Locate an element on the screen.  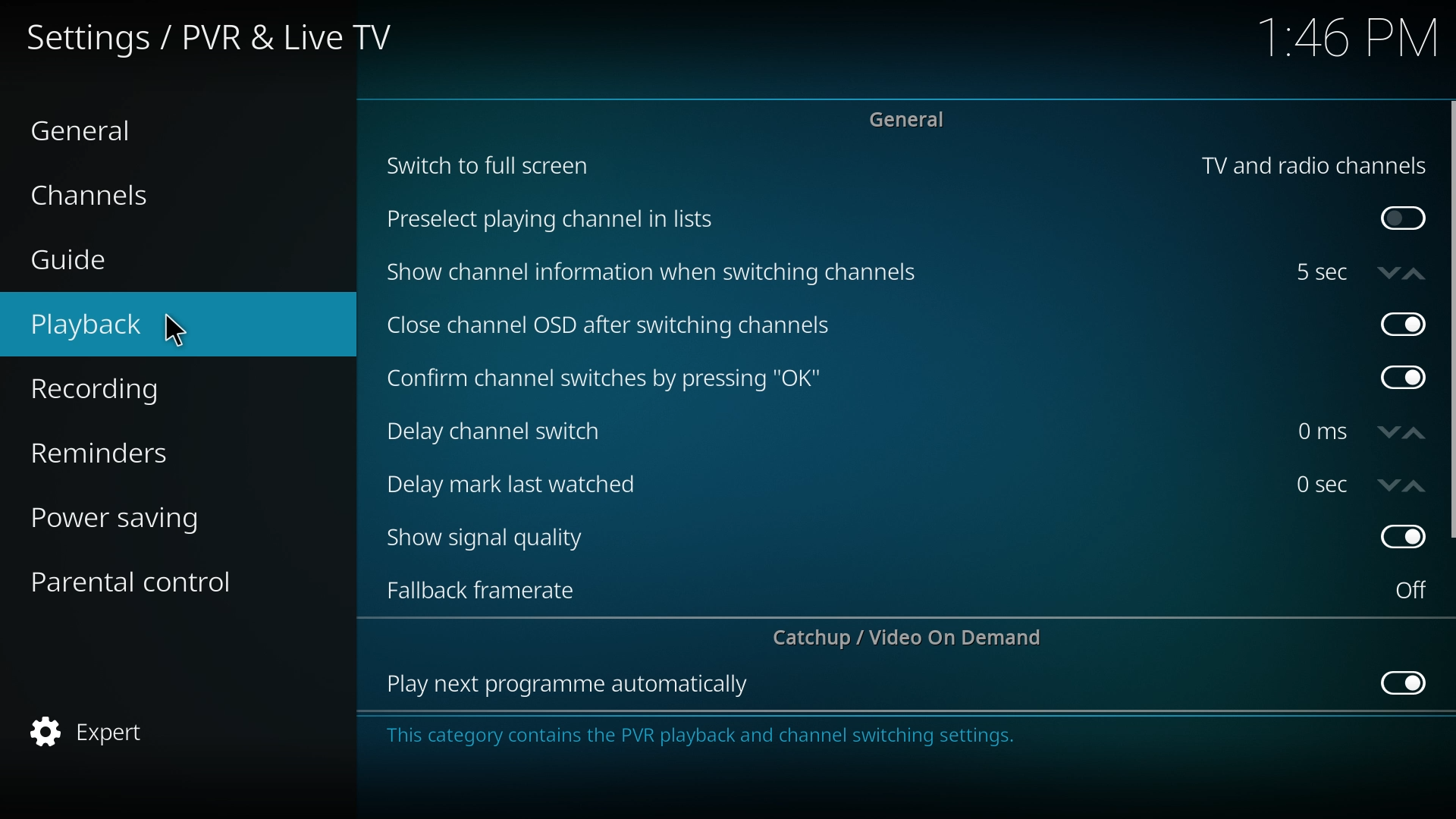
time is located at coordinates (1347, 39).